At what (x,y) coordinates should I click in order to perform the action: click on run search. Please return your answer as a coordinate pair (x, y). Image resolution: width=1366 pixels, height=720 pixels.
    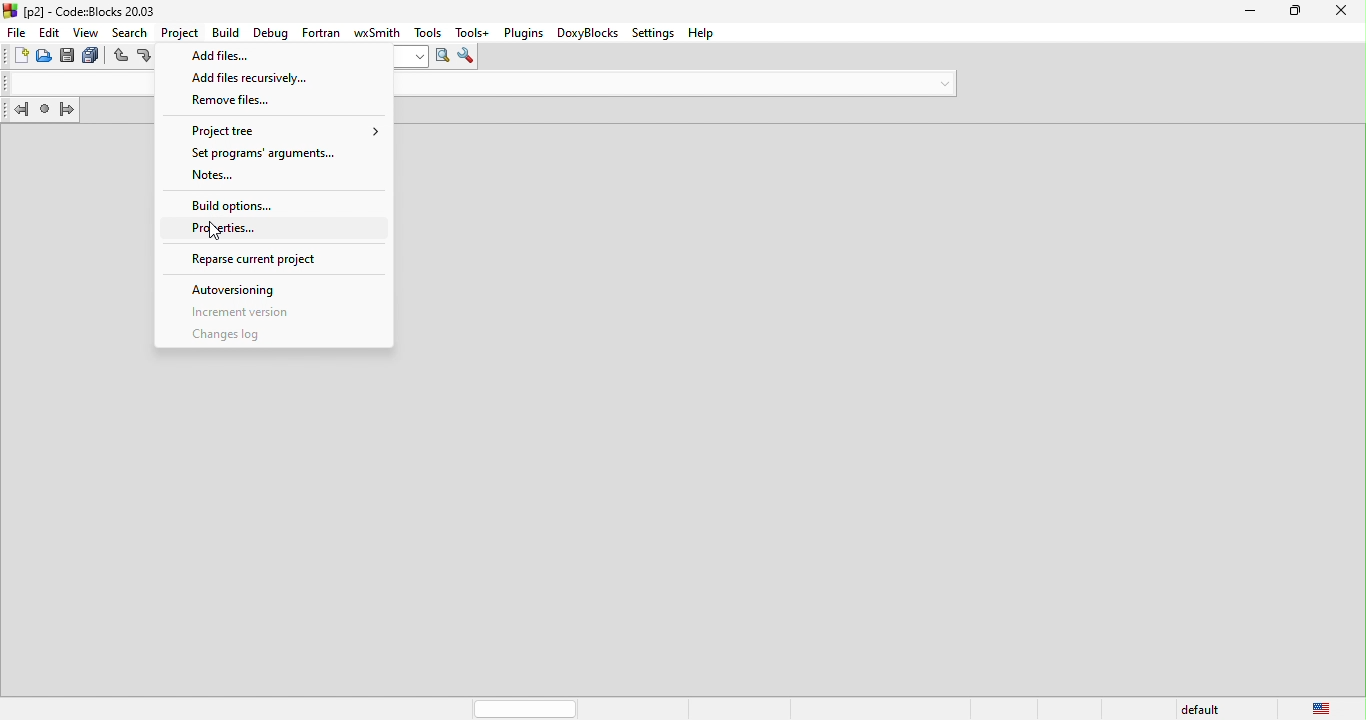
    Looking at the image, I should click on (443, 58).